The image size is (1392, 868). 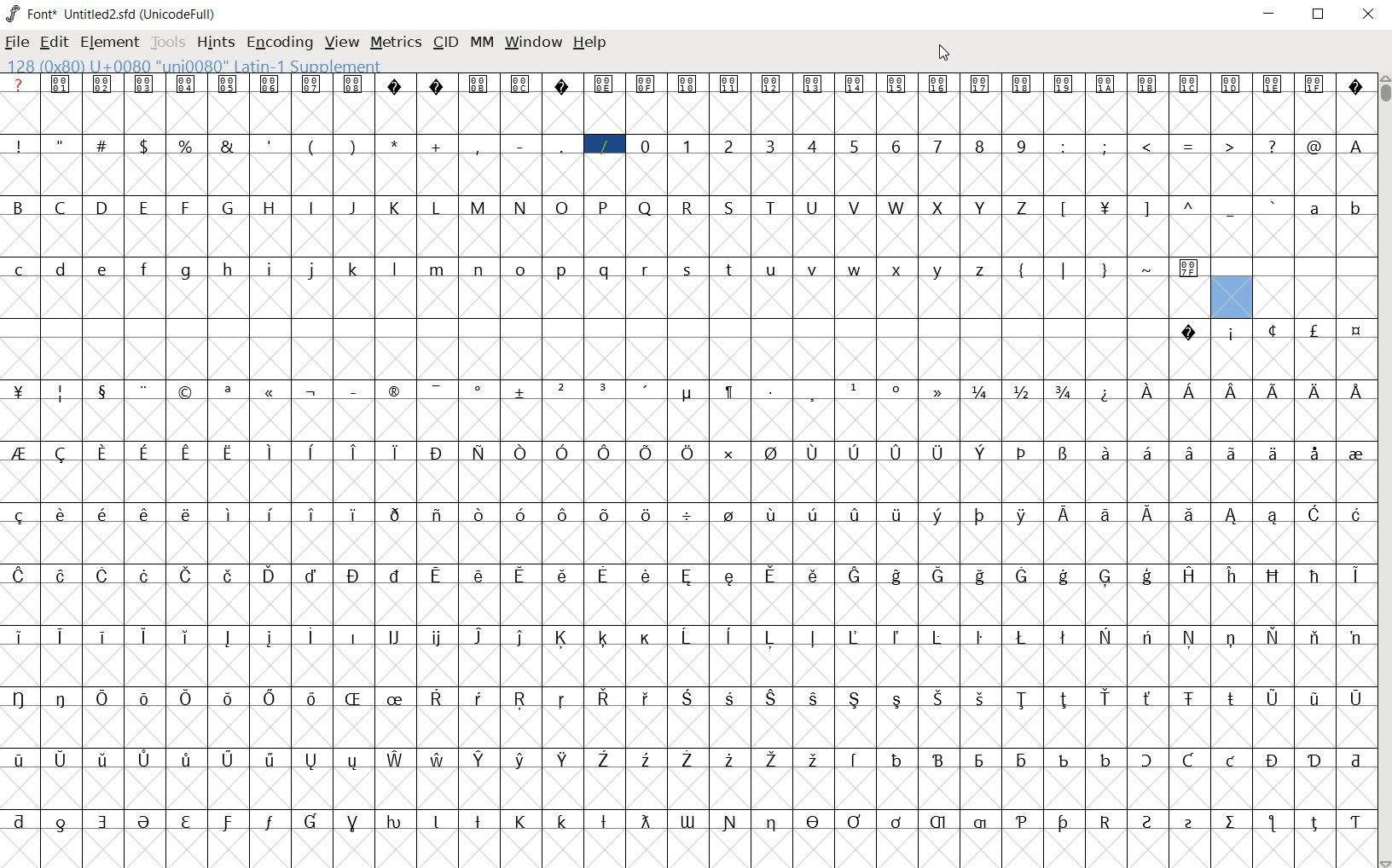 What do you see at coordinates (1064, 761) in the screenshot?
I see `glyph` at bounding box center [1064, 761].